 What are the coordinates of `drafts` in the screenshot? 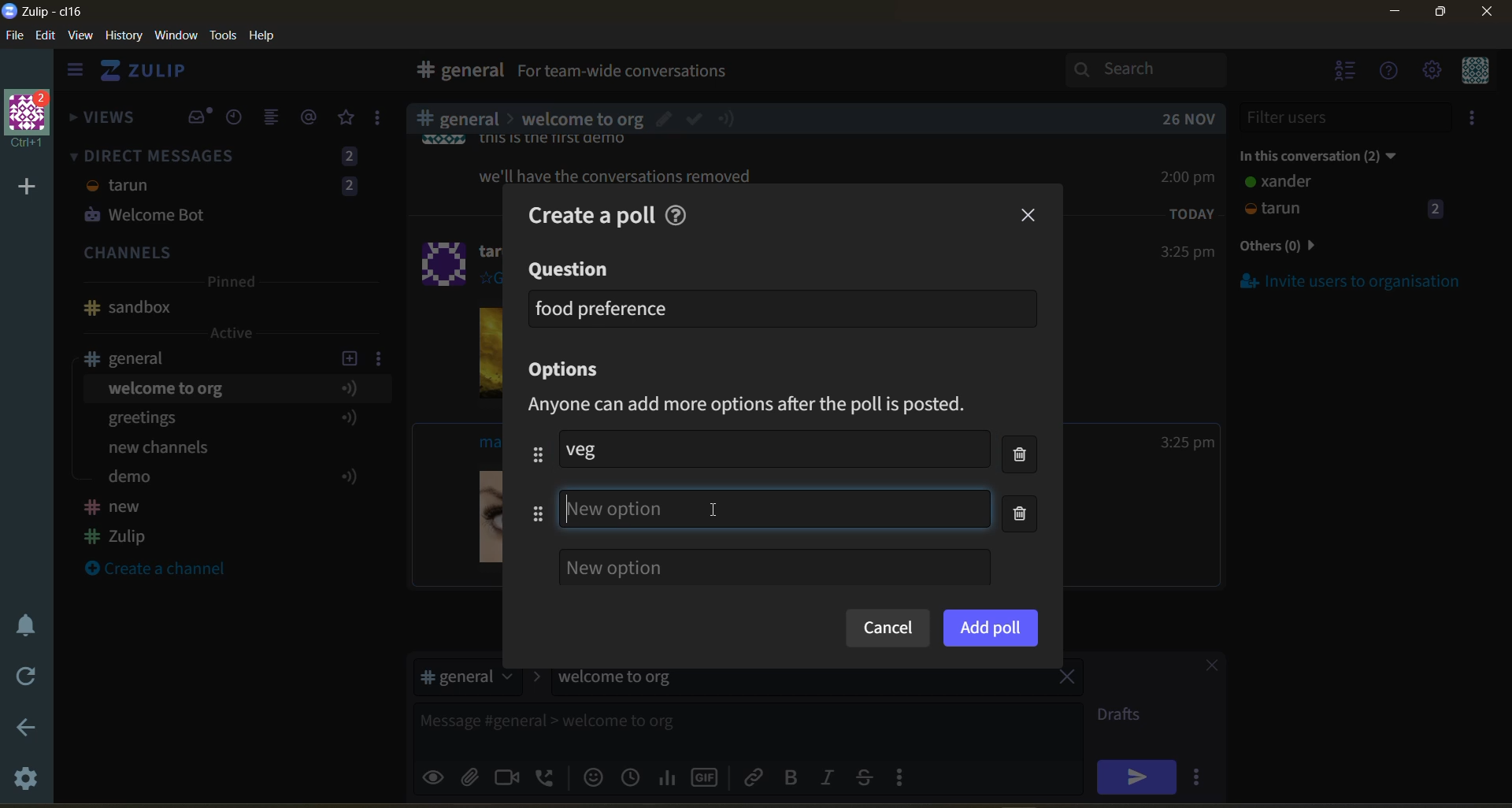 It's located at (1125, 717).